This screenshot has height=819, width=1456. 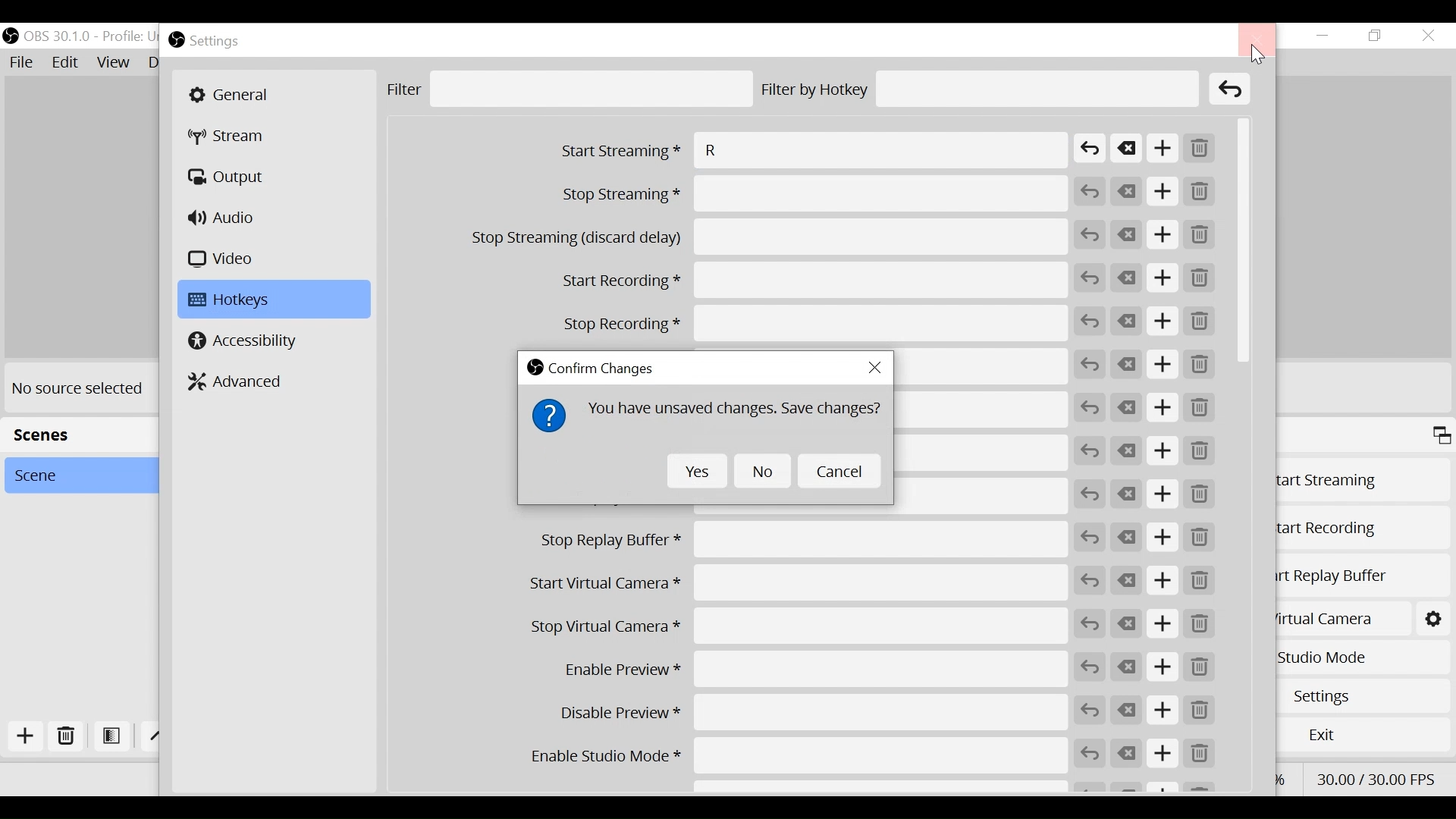 What do you see at coordinates (1199, 192) in the screenshot?
I see `Remove` at bounding box center [1199, 192].